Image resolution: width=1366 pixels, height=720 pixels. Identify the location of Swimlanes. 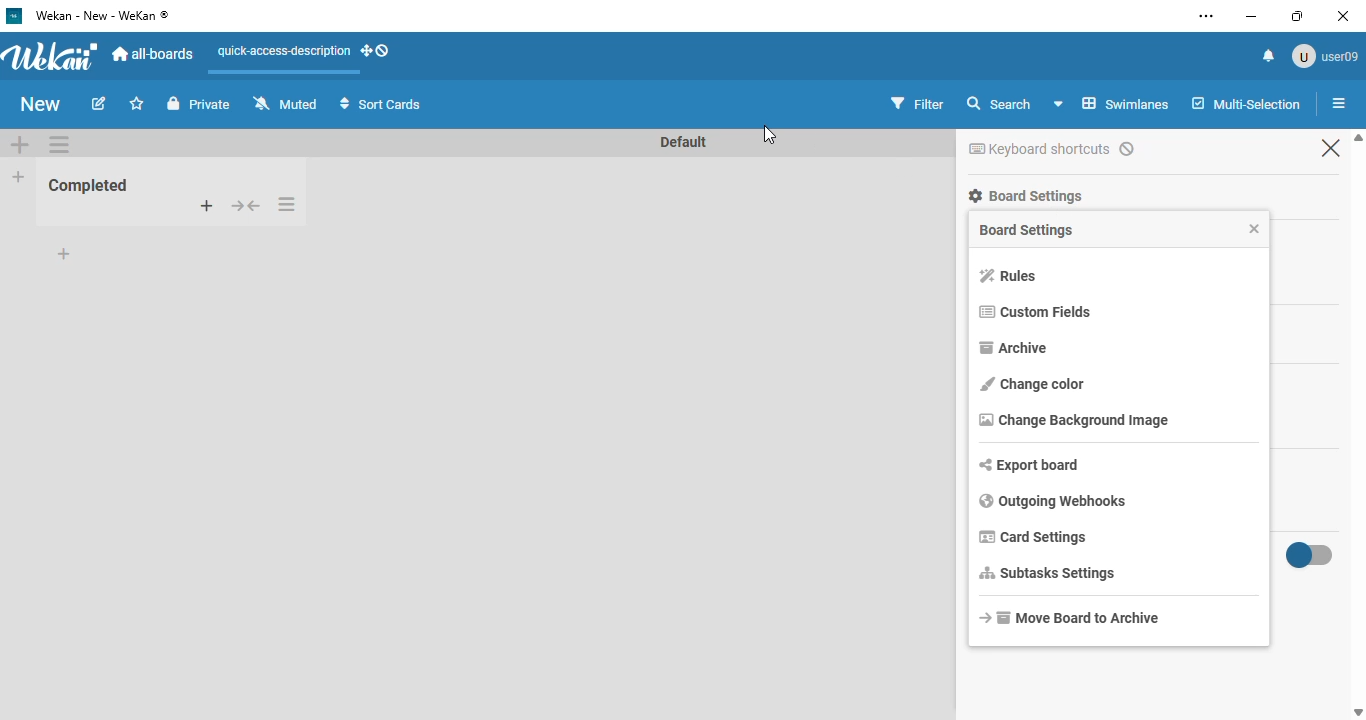
(1112, 103).